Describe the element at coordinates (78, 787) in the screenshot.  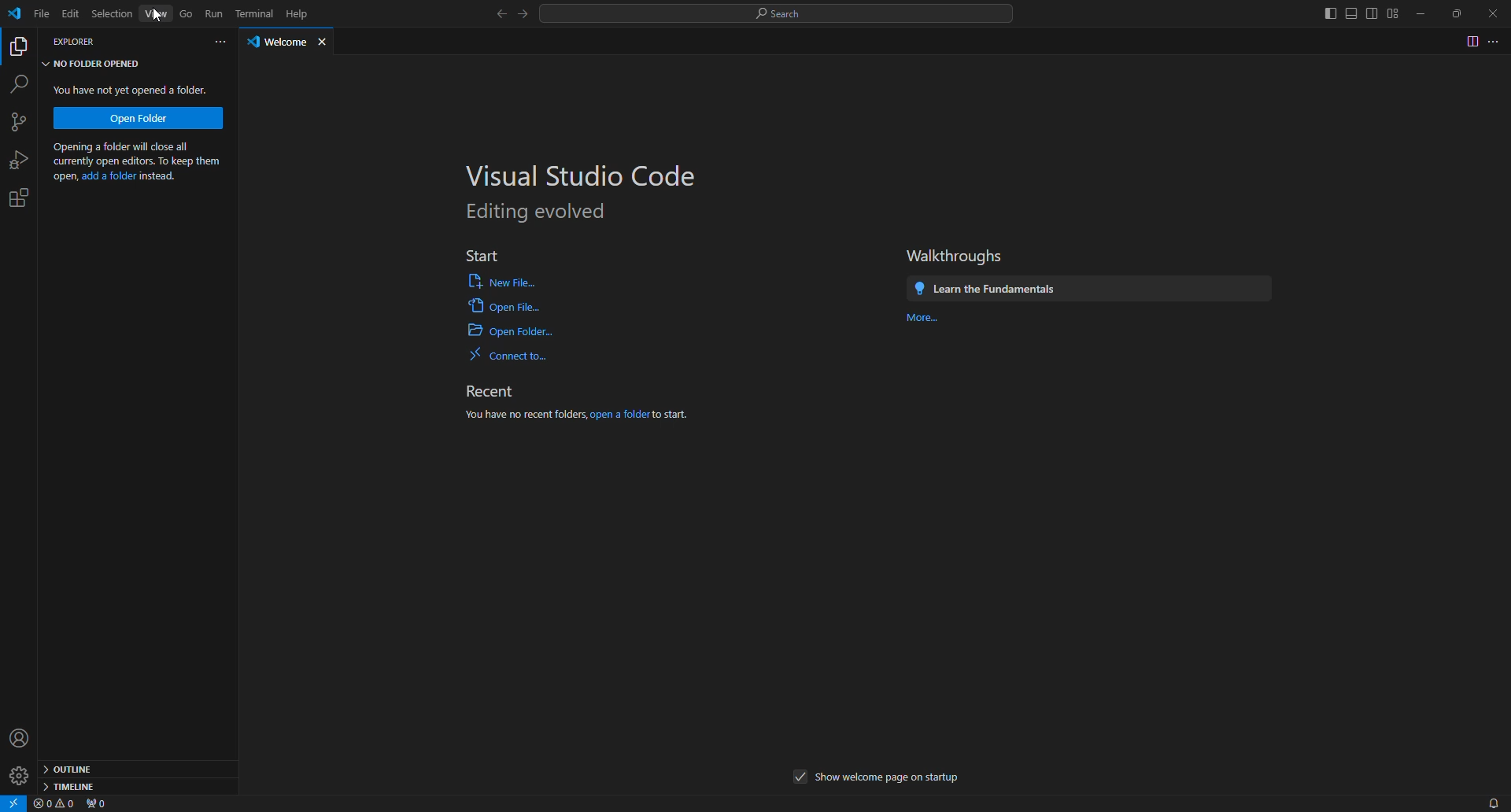
I see `timeline` at that location.